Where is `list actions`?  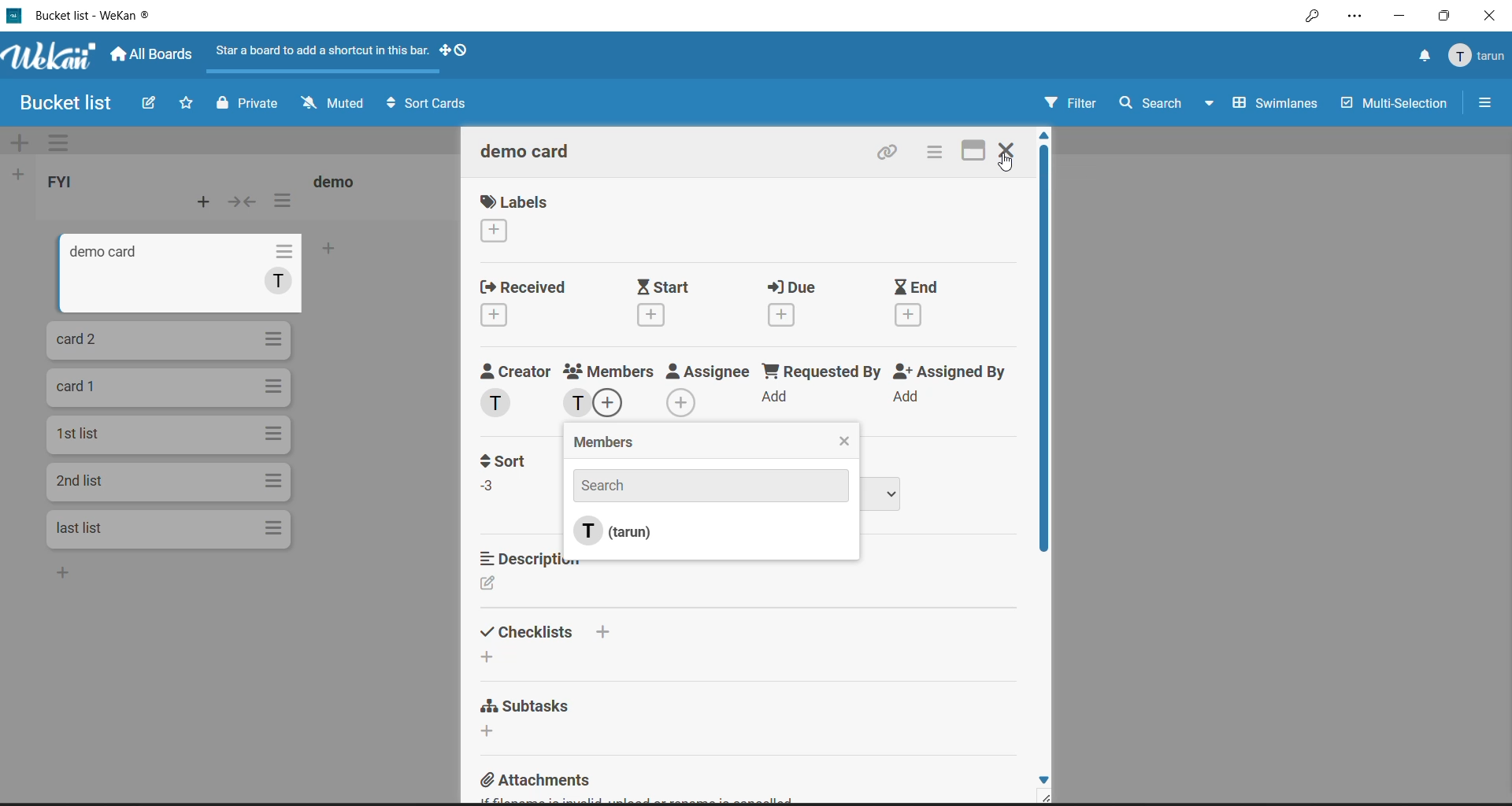 list actions is located at coordinates (283, 199).